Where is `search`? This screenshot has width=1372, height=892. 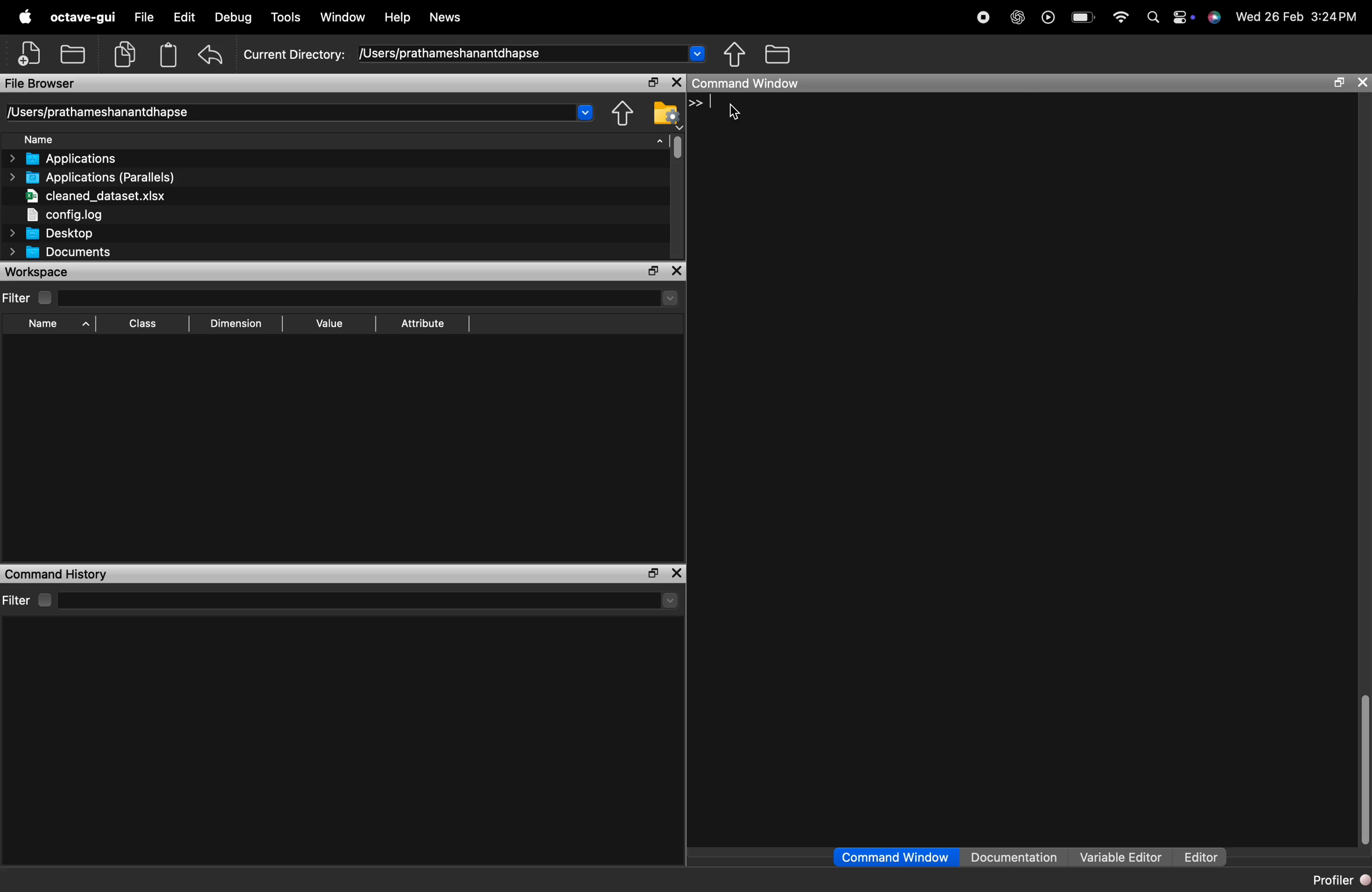 search is located at coordinates (1151, 18).